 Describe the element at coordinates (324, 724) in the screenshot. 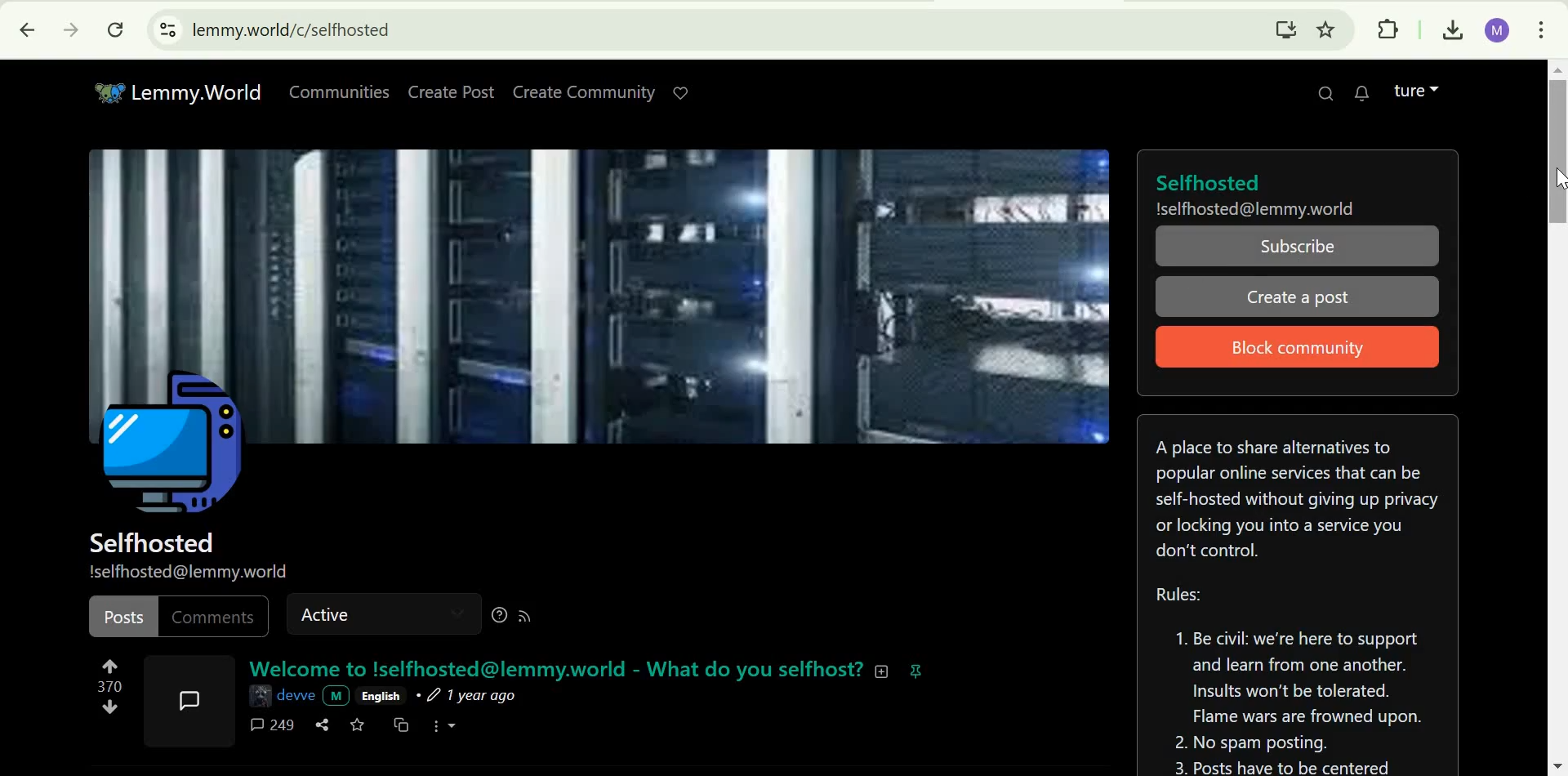

I see `share` at that location.